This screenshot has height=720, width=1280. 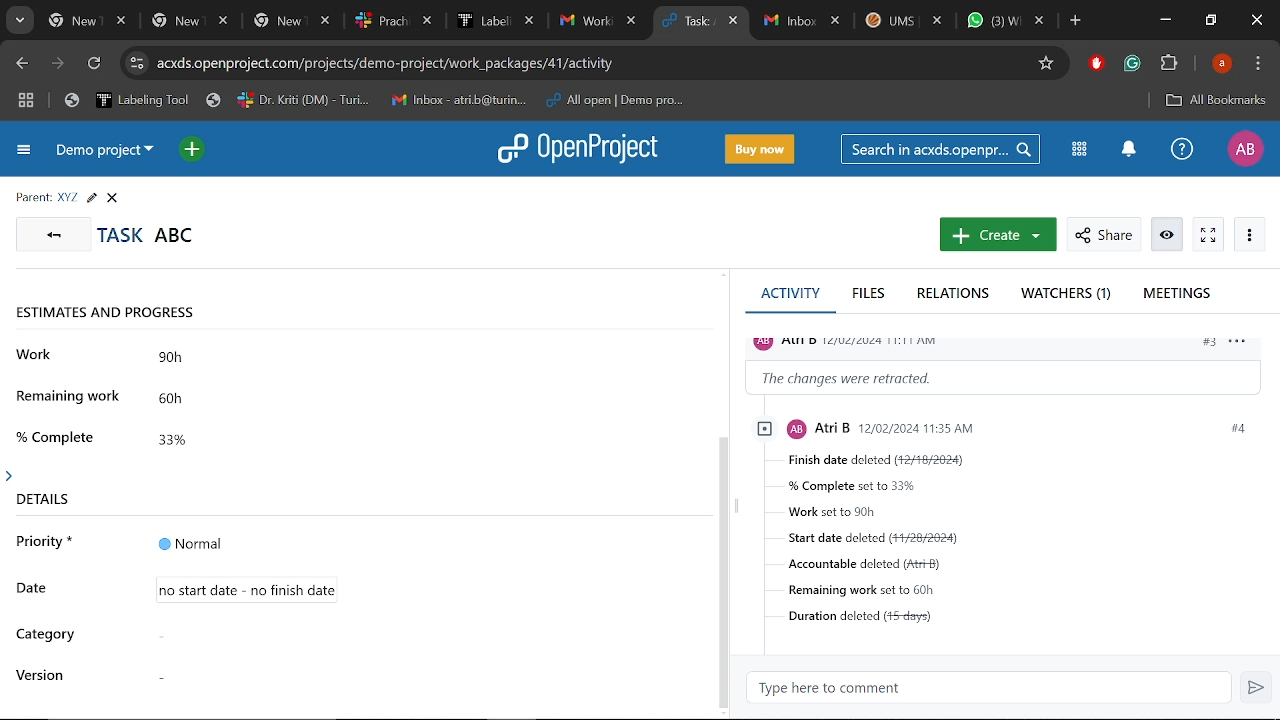 What do you see at coordinates (576, 147) in the screenshot?
I see `Open project logo` at bounding box center [576, 147].